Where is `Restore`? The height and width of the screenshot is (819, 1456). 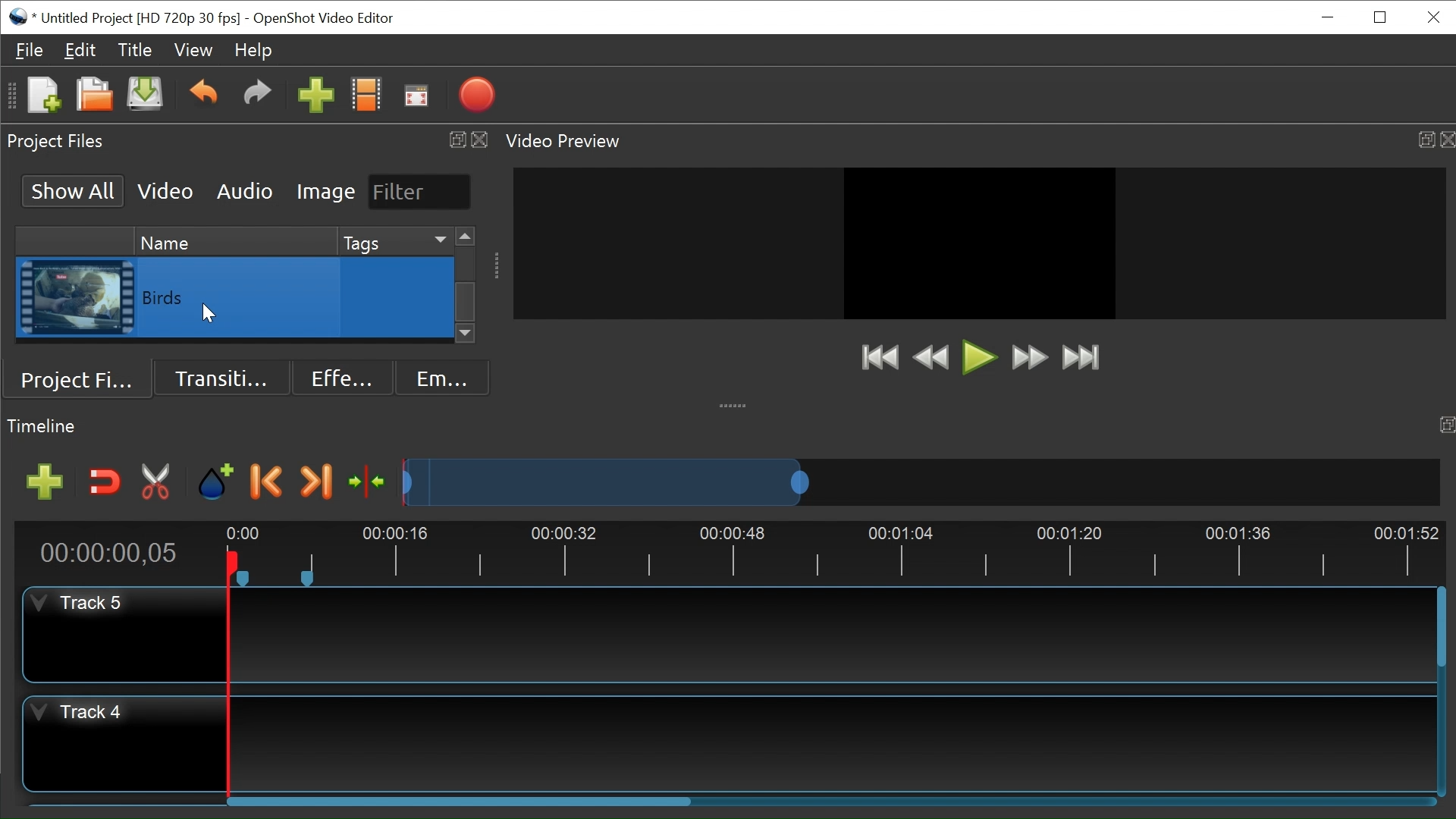 Restore is located at coordinates (1380, 16).